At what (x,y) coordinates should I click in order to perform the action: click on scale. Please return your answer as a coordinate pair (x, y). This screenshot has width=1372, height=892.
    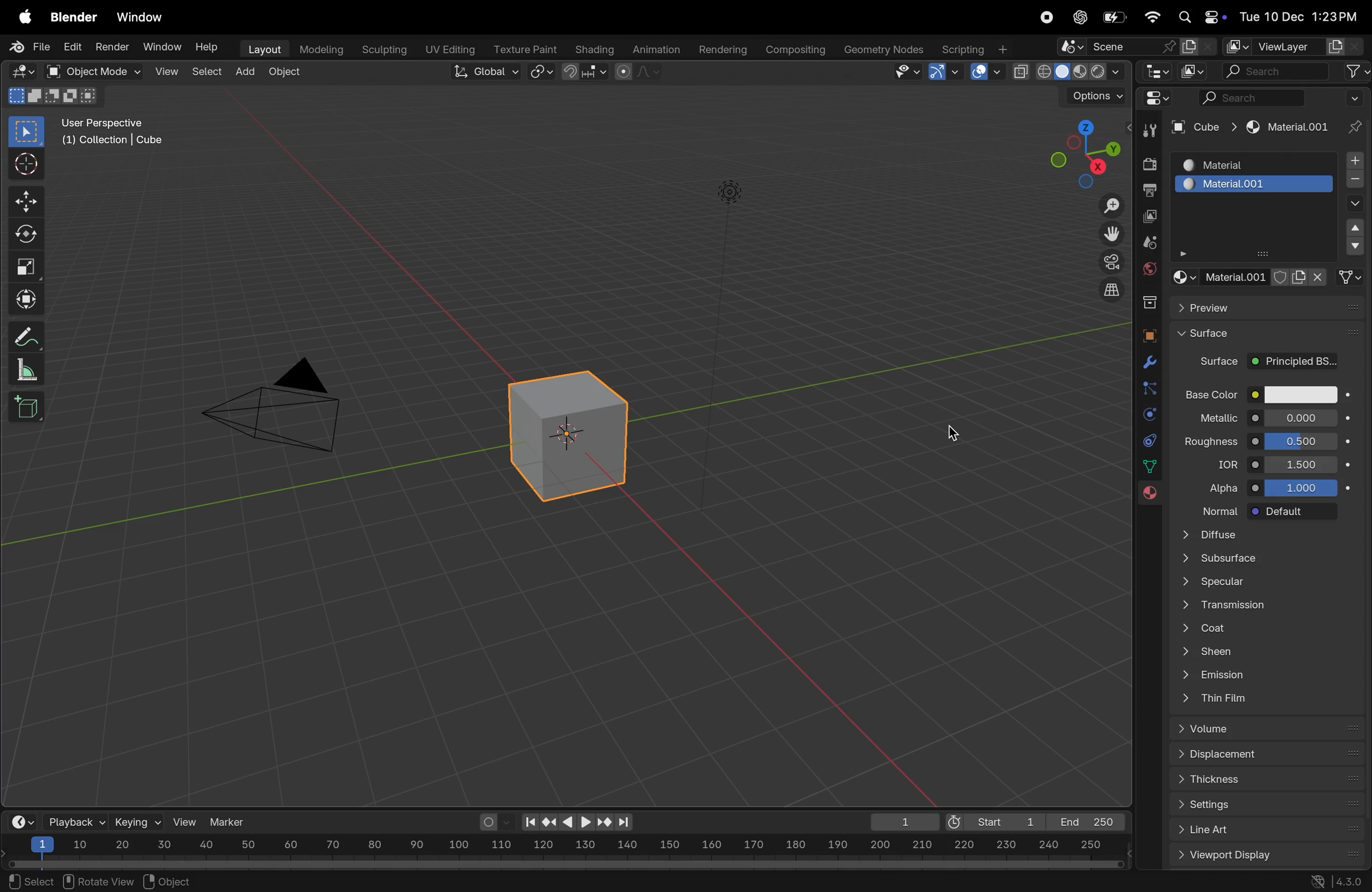
    Looking at the image, I should click on (564, 846).